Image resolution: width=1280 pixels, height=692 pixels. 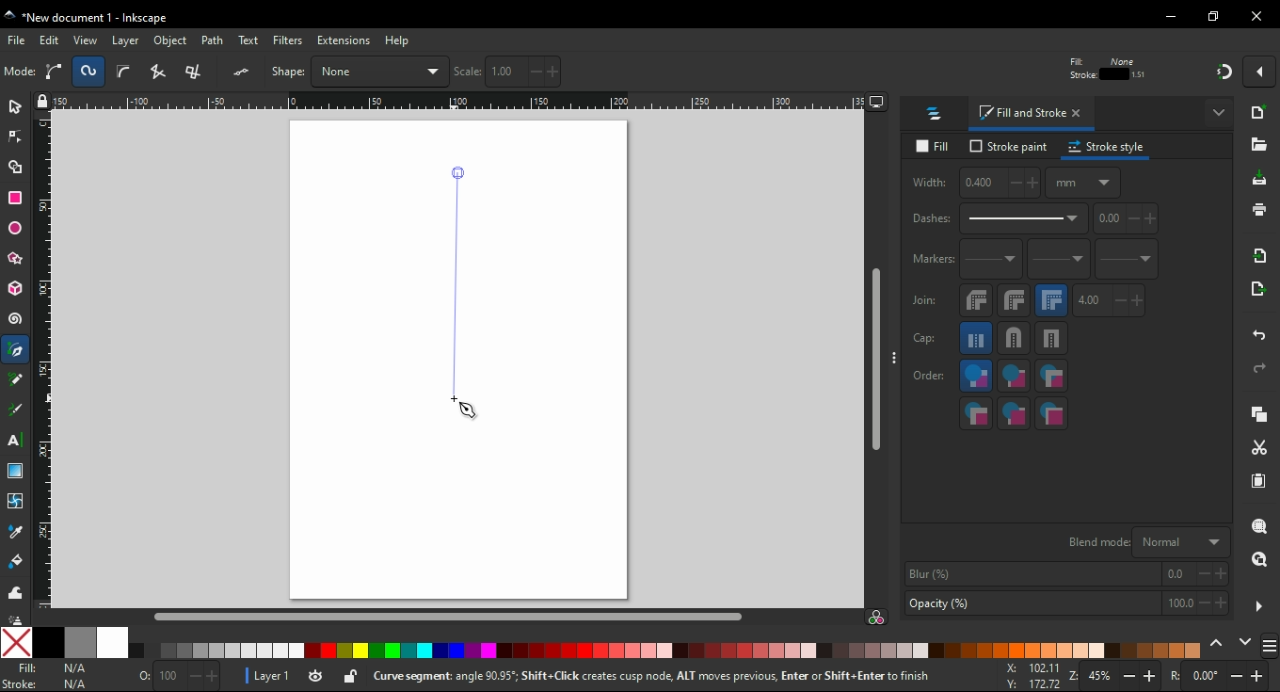 What do you see at coordinates (342, 39) in the screenshot?
I see `extension` at bounding box center [342, 39].